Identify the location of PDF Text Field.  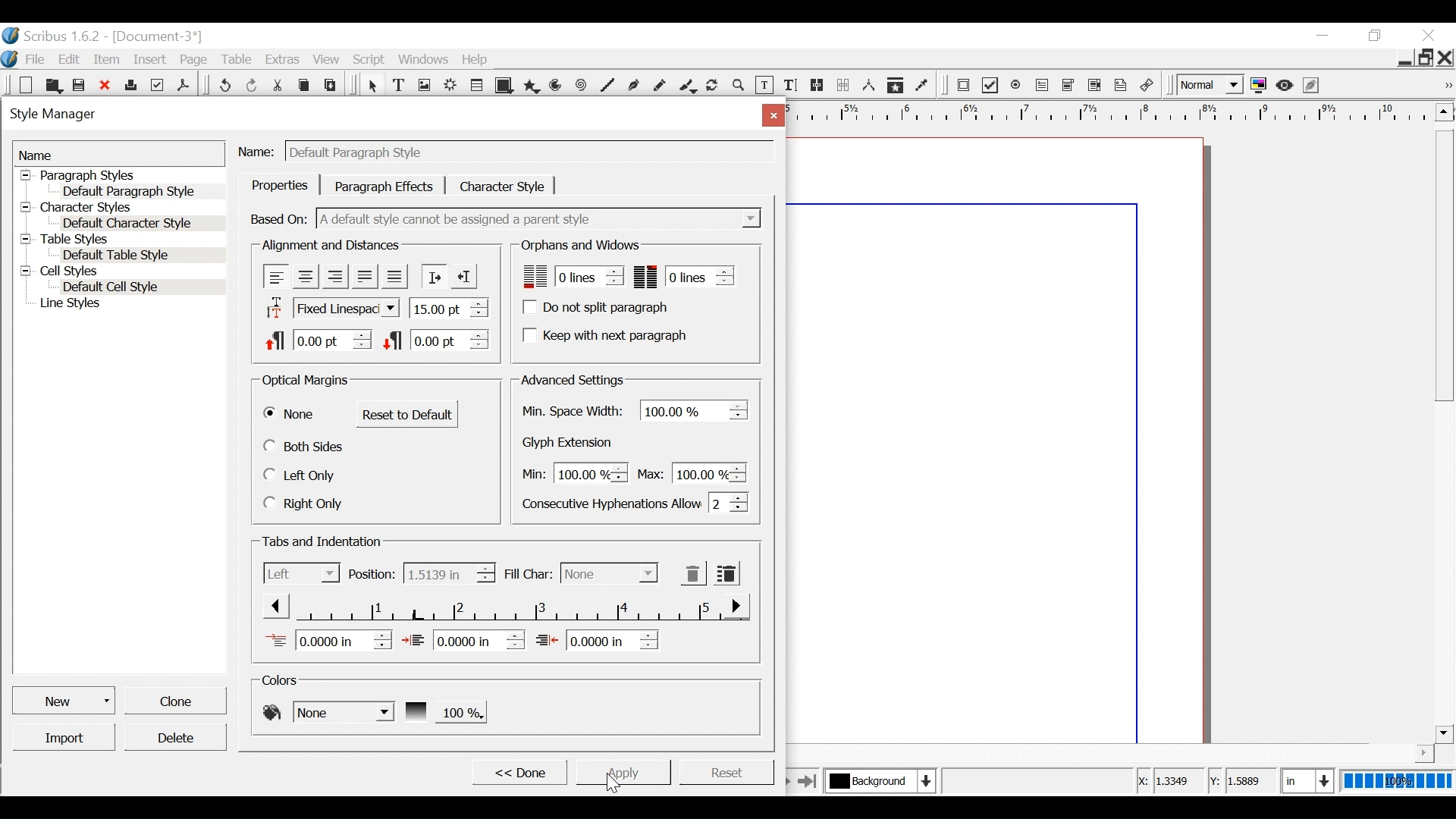
(1043, 86).